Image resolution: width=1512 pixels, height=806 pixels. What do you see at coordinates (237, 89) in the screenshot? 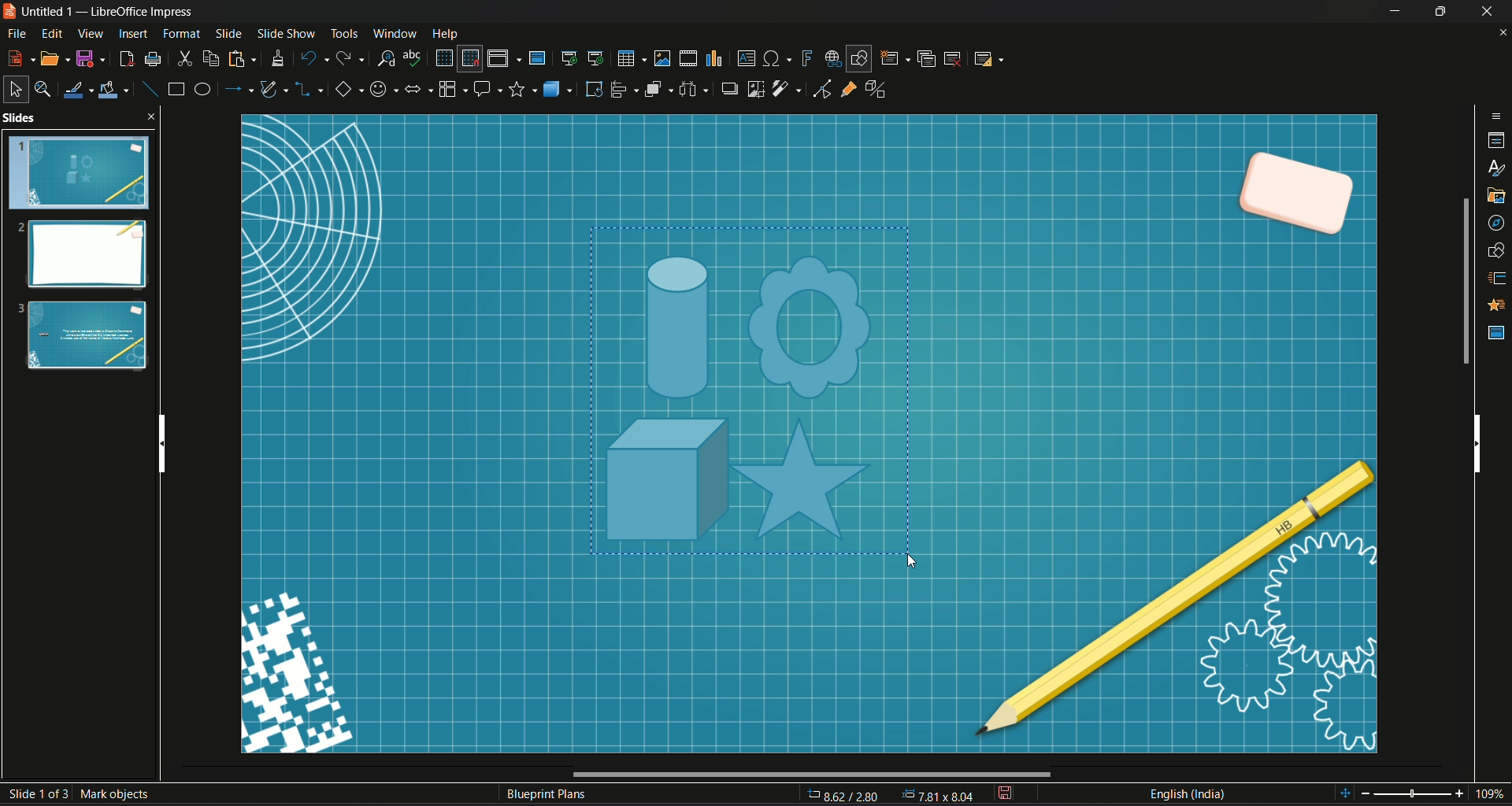
I see `lines and arrow` at bounding box center [237, 89].